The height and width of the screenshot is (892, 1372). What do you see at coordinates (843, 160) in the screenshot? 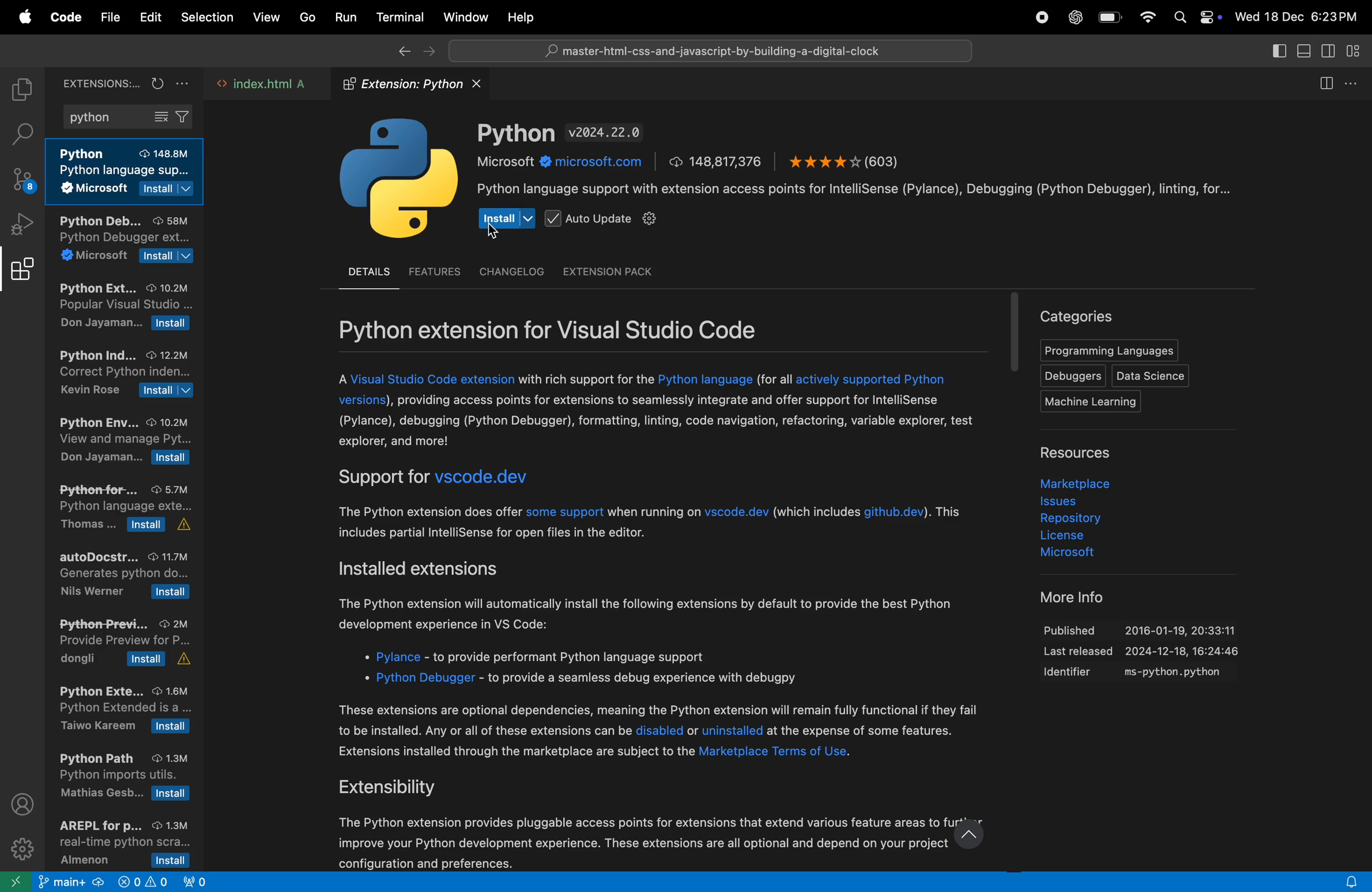
I see `starts` at bounding box center [843, 160].